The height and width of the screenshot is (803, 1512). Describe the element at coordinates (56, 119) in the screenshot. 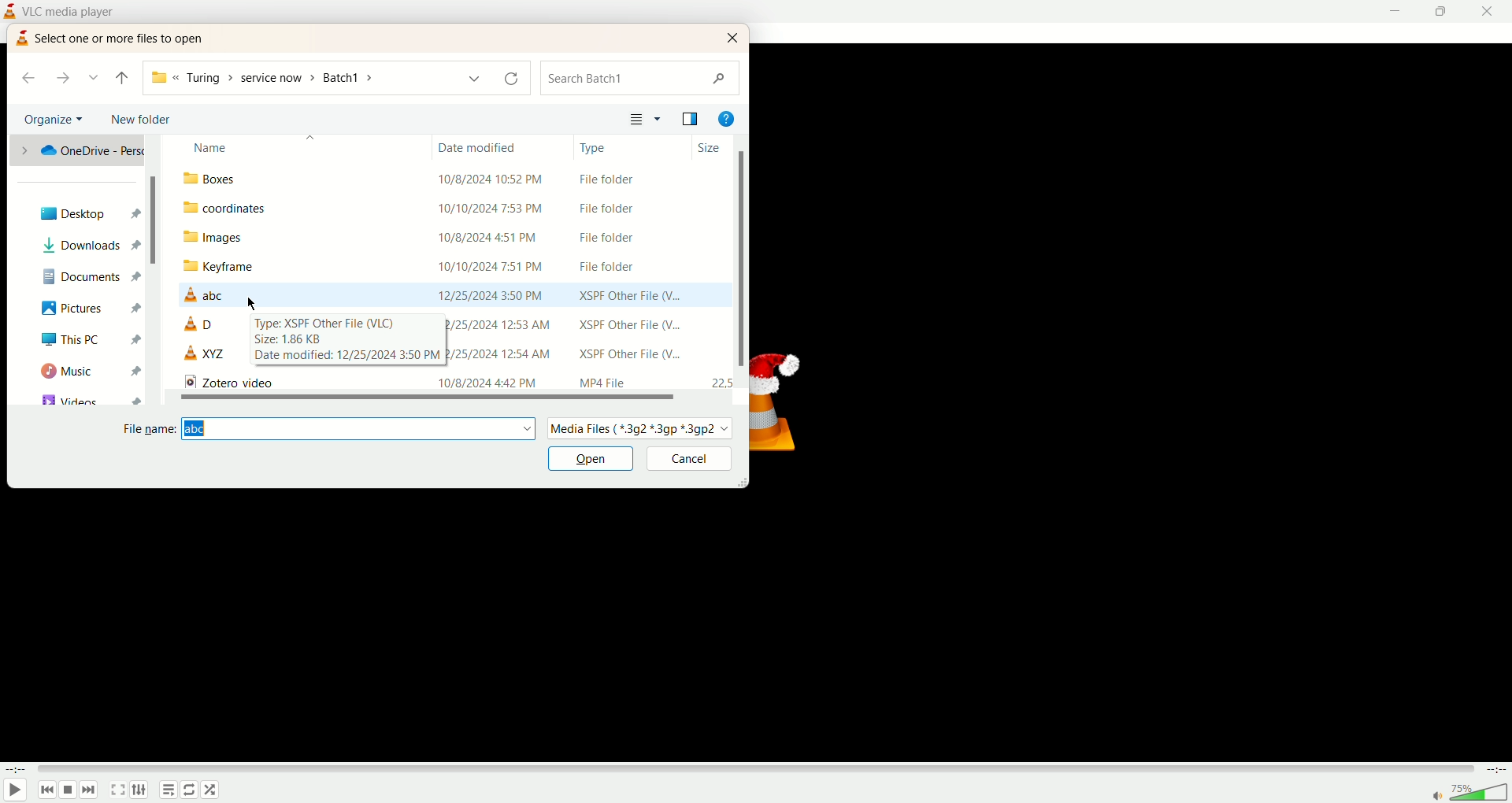

I see `organize` at that location.